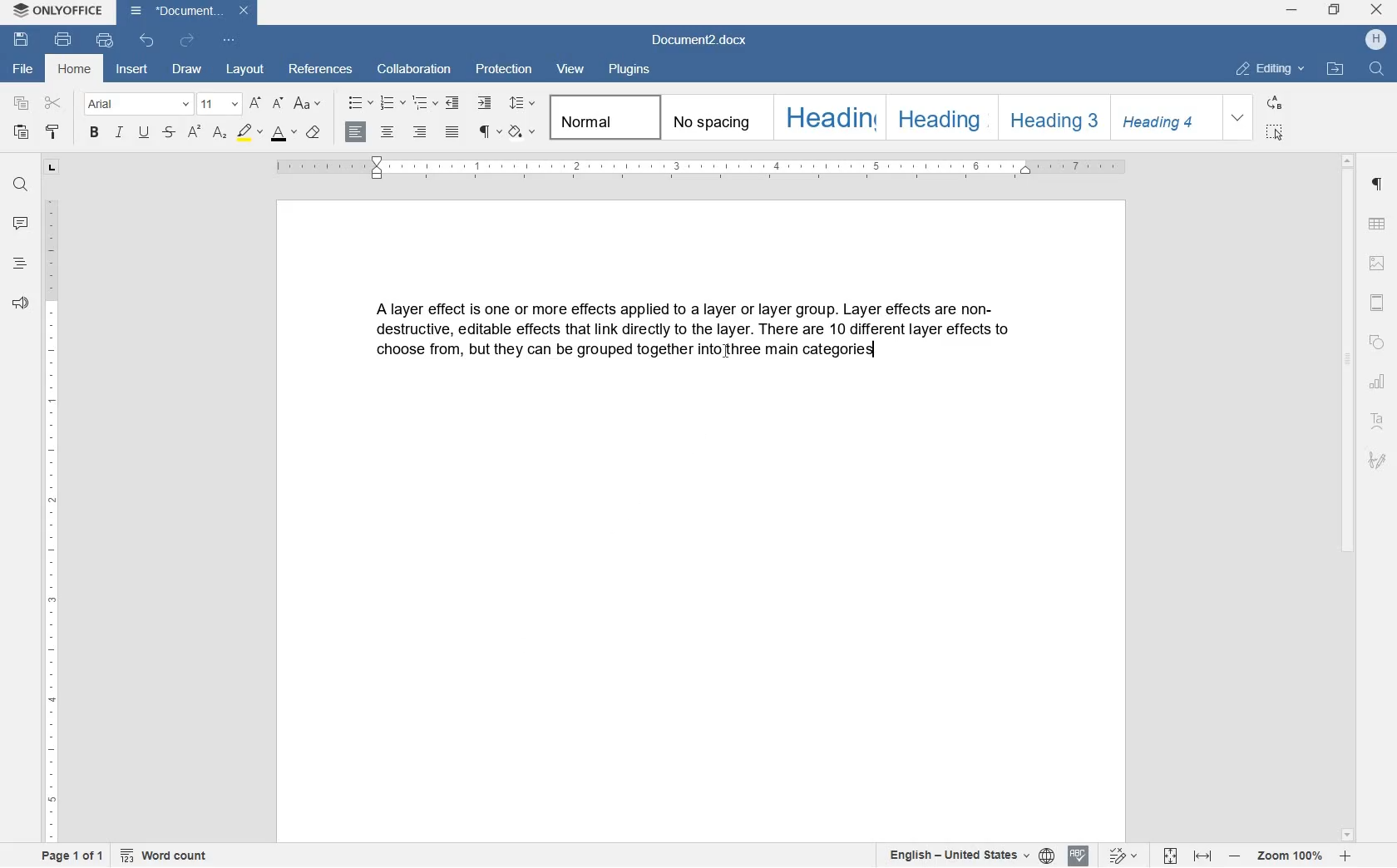  Describe the element at coordinates (187, 12) in the screenshot. I see `document2.docx` at that location.